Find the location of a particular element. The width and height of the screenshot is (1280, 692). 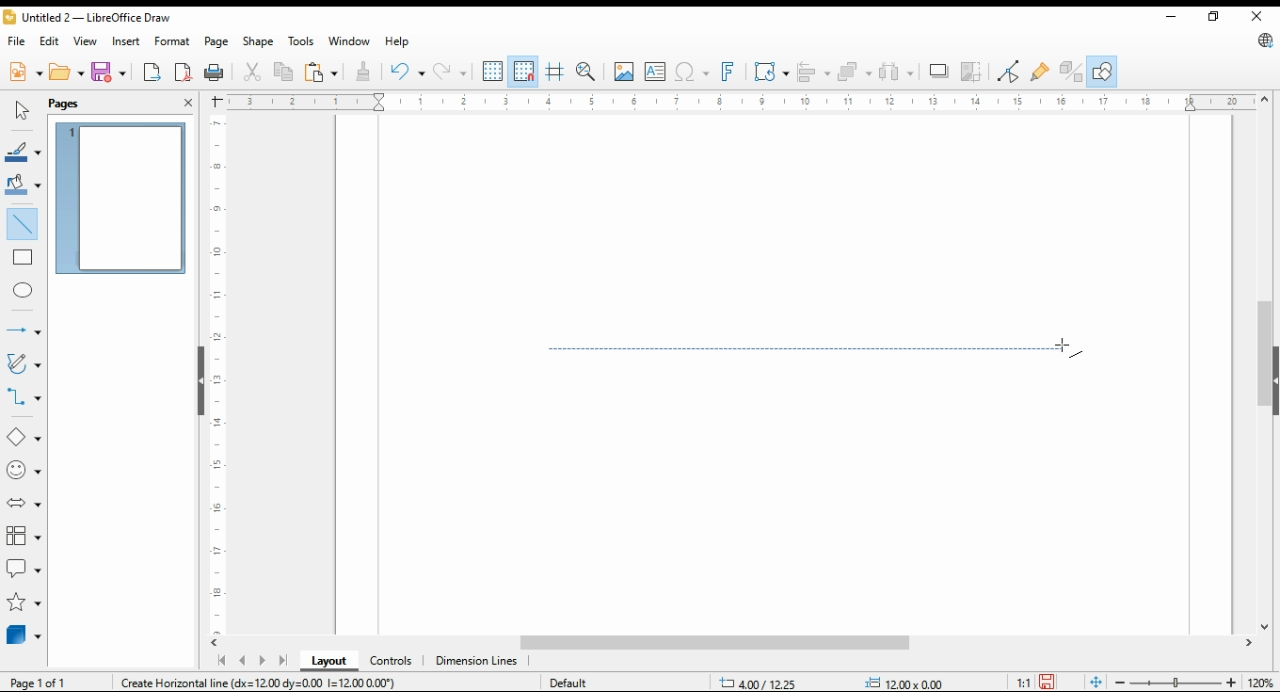

open is located at coordinates (67, 70).